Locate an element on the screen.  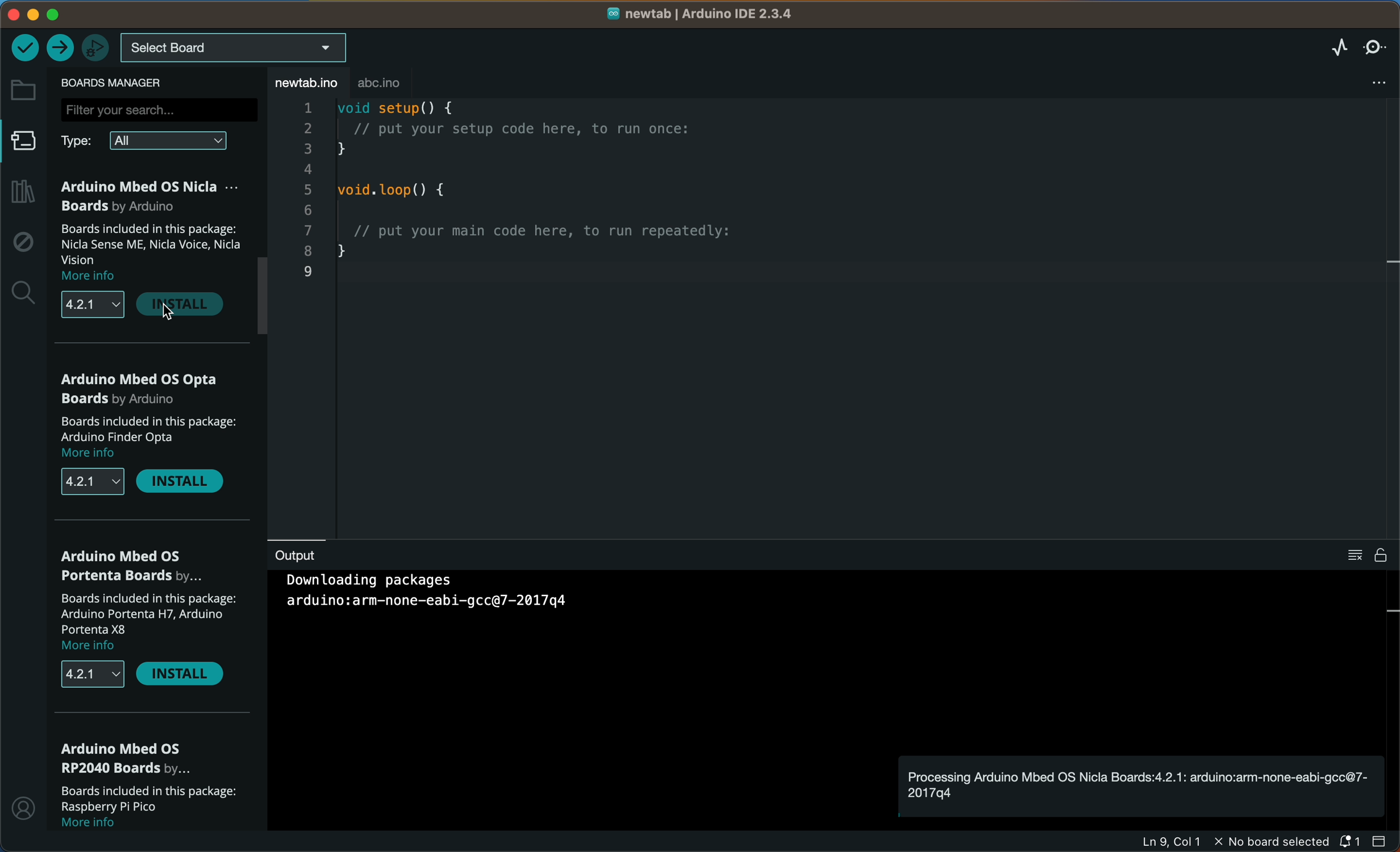
more info is located at coordinates (105, 826).